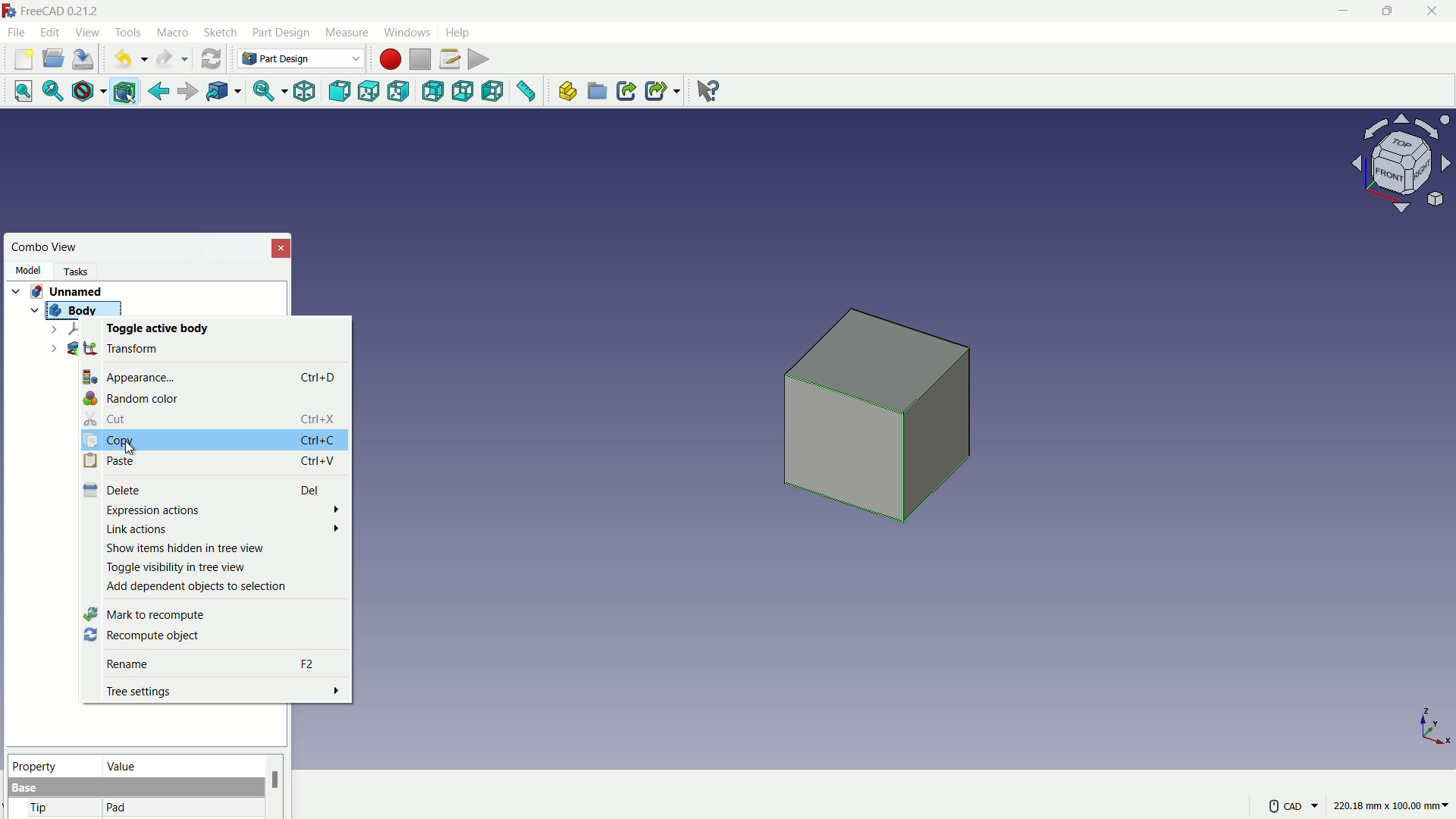 This screenshot has width=1456, height=819. Describe the element at coordinates (275, 786) in the screenshot. I see `scroll bar` at that location.